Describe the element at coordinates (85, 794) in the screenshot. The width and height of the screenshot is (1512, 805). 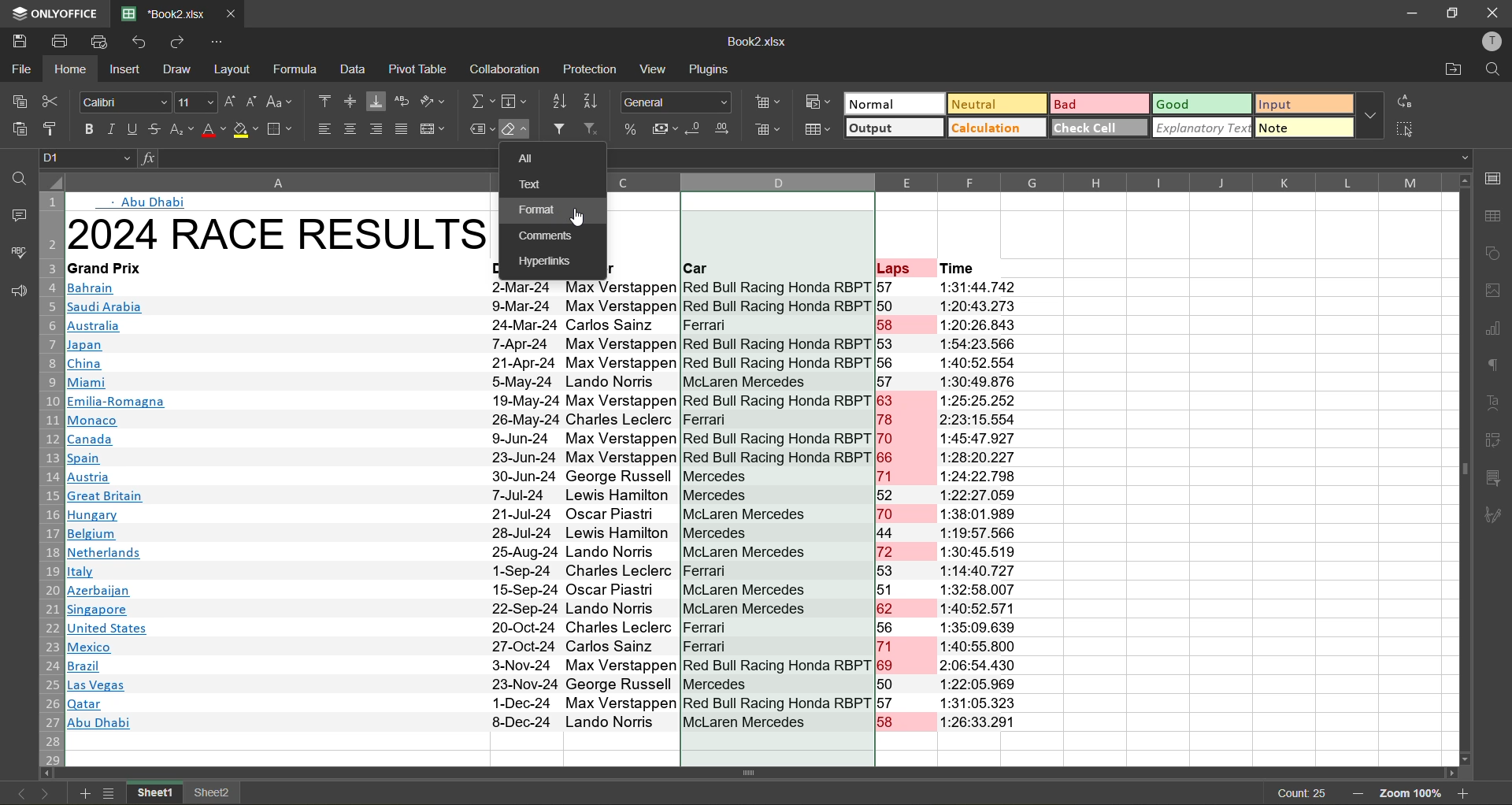
I see `add sheet` at that location.